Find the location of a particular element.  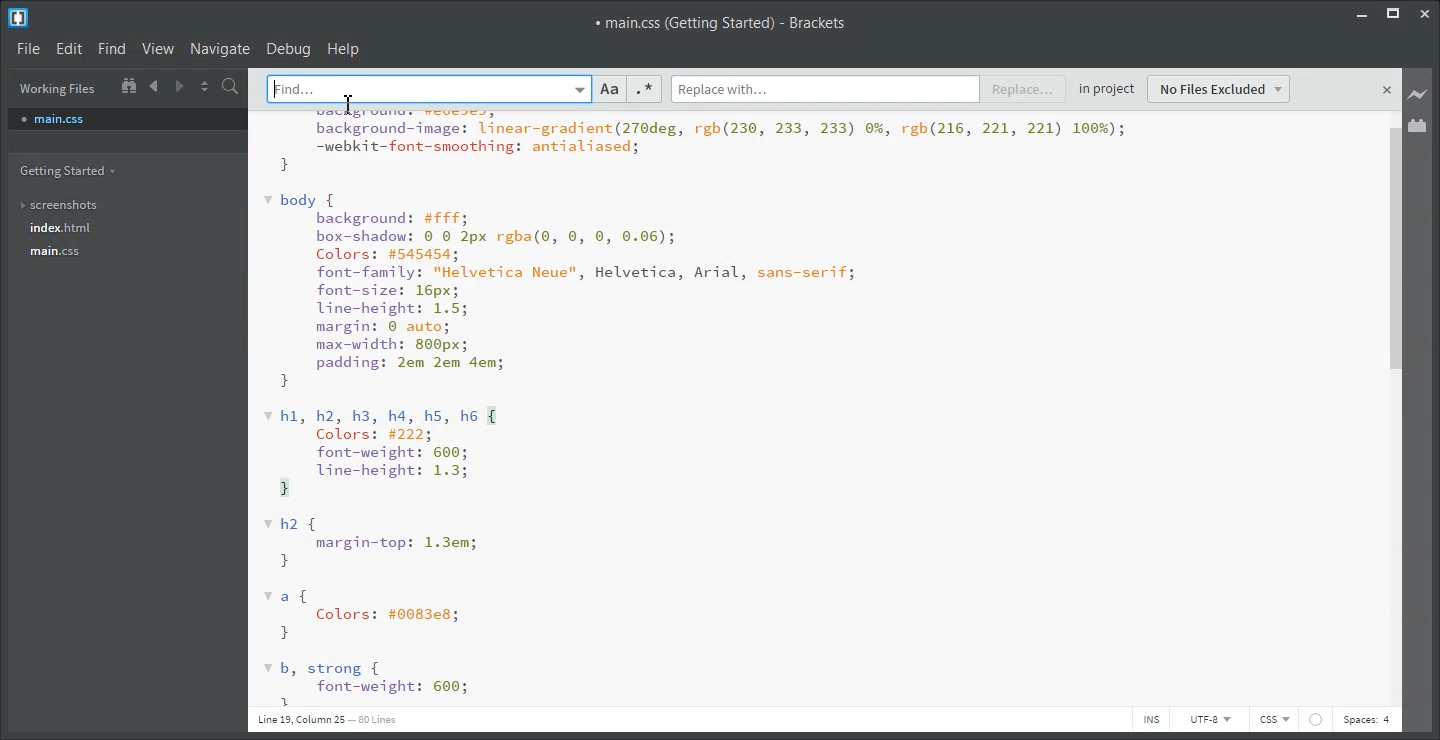

main.css is located at coordinates (73, 251).